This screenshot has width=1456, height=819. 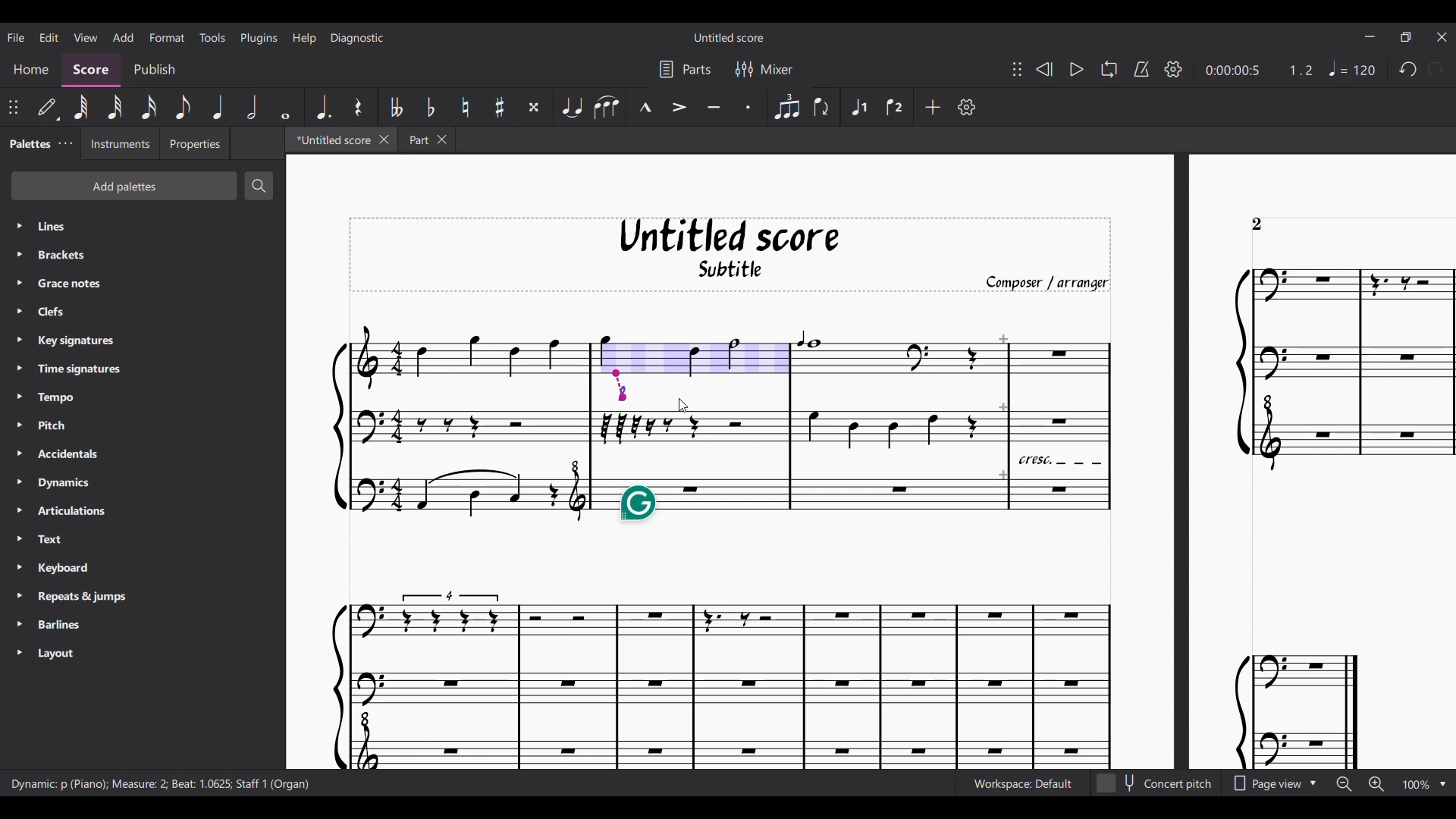 What do you see at coordinates (29, 143) in the screenshot?
I see `Palettes, current tab` at bounding box center [29, 143].